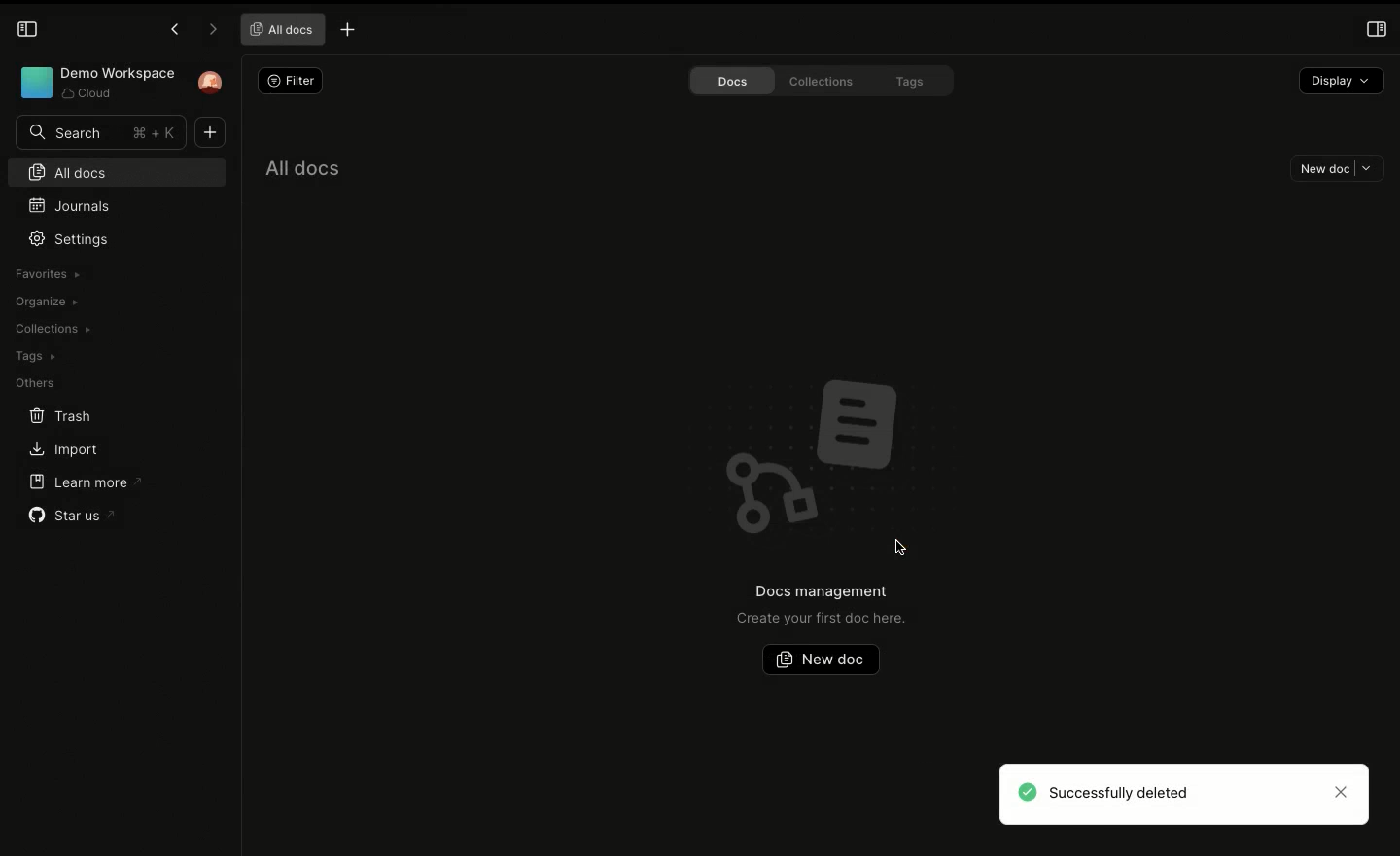 Image resolution: width=1400 pixels, height=856 pixels. Describe the element at coordinates (291, 80) in the screenshot. I see `Filter` at that location.